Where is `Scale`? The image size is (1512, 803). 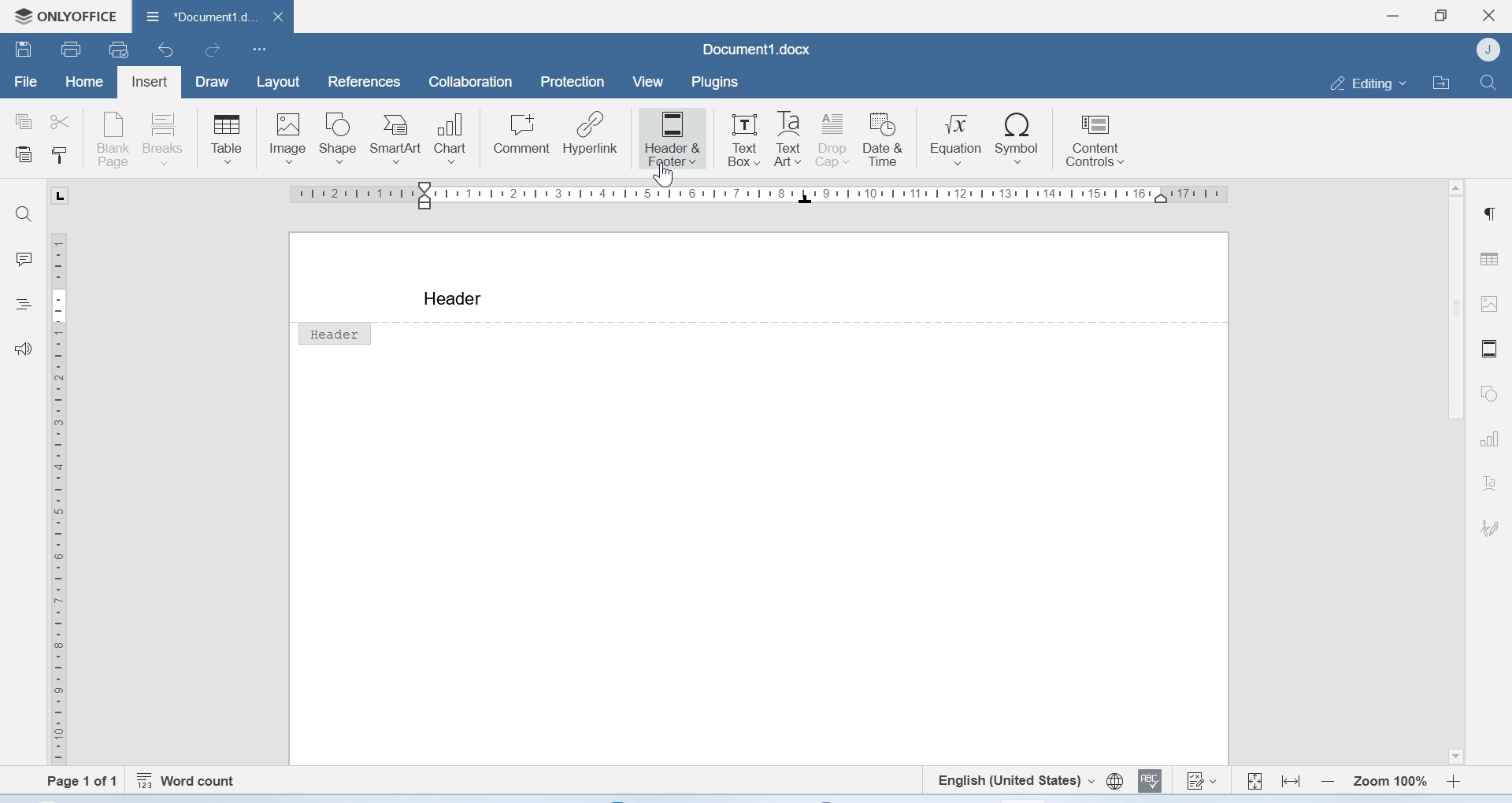 Scale is located at coordinates (758, 199).